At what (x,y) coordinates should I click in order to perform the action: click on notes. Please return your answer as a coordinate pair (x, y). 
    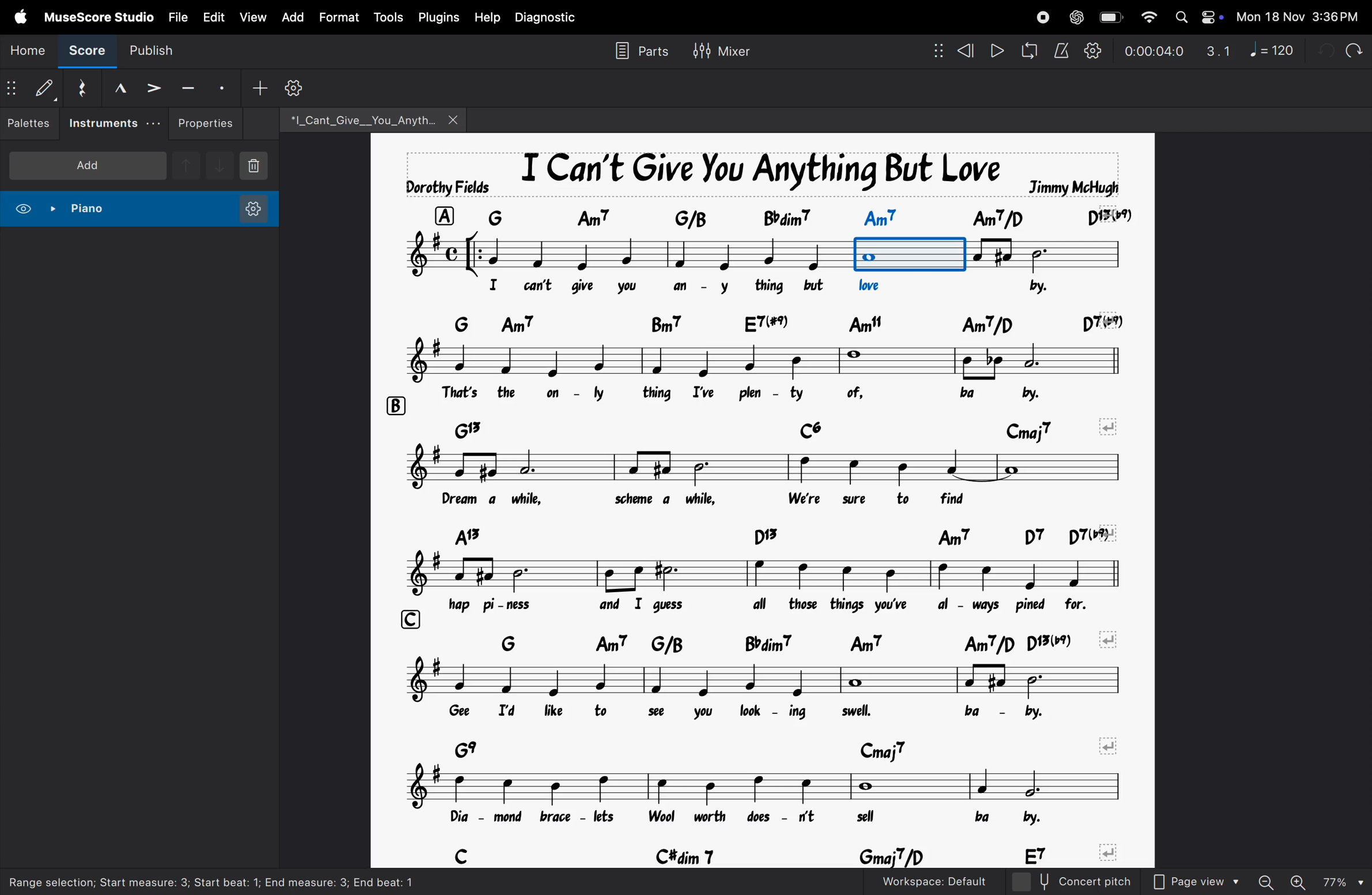
    Looking at the image, I should click on (768, 574).